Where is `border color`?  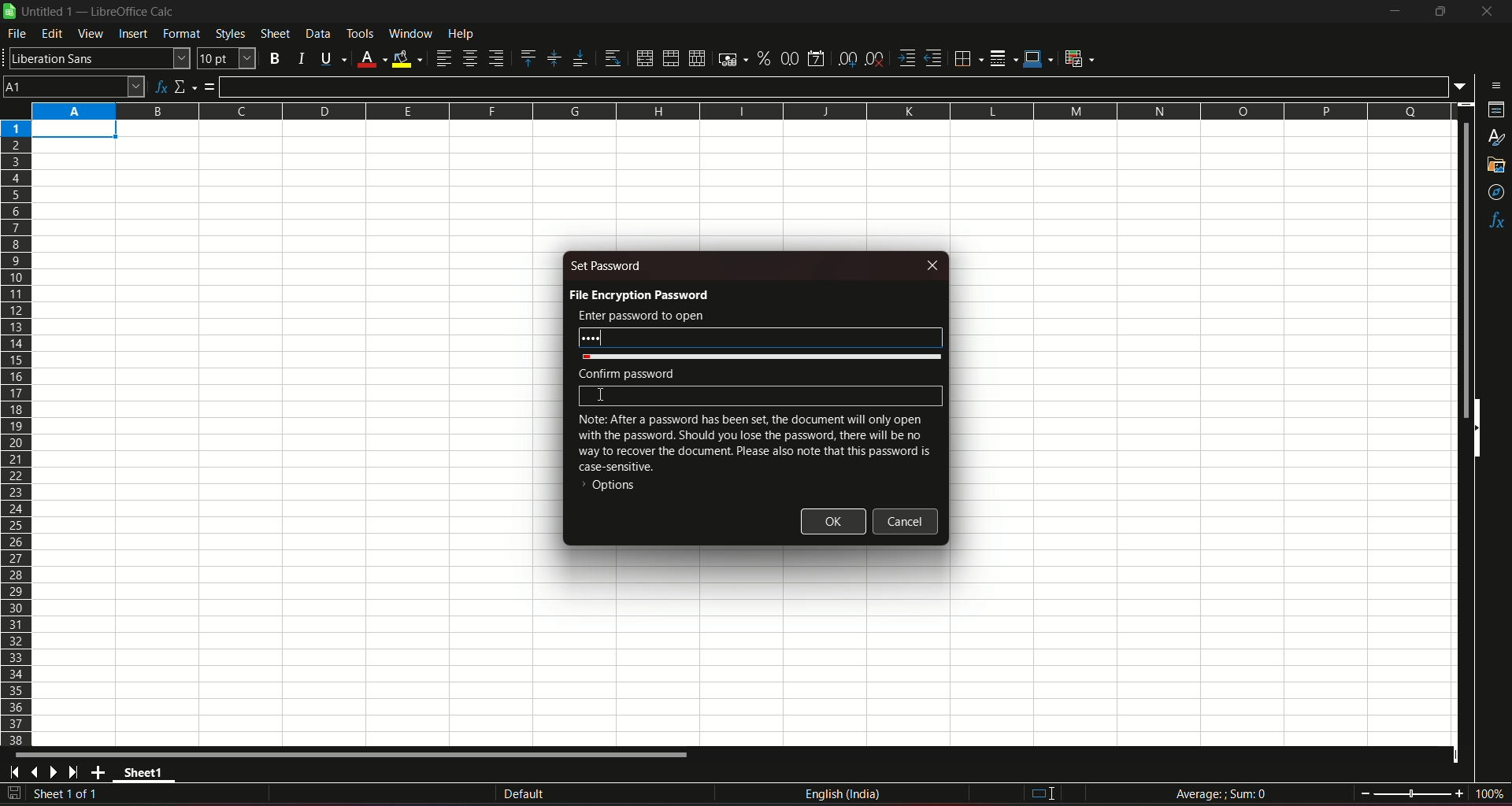 border color is located at coordinates (1039, 60).